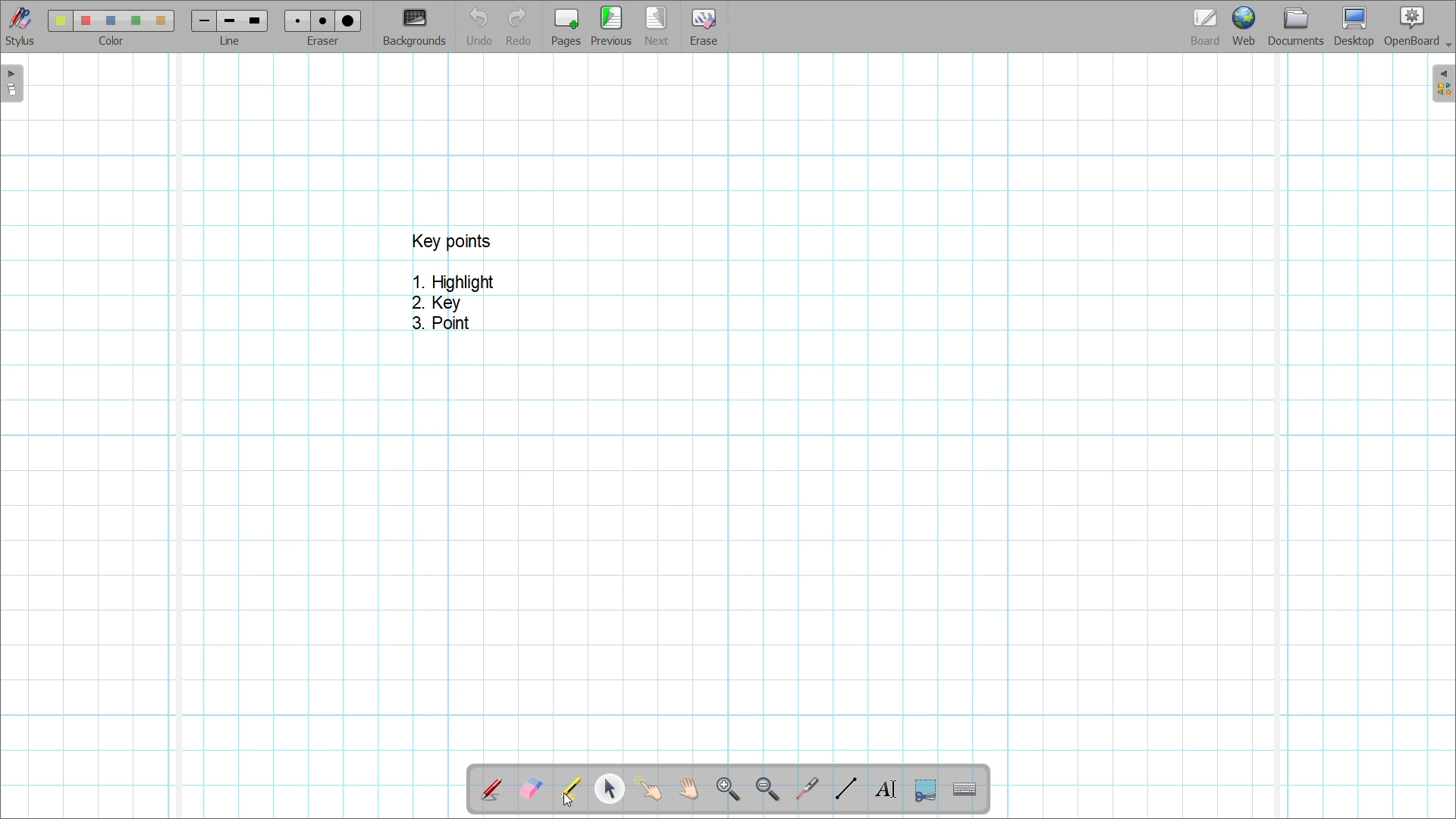  Describe the element at coordinates (227, 21) in the screenshot. I see `line 2` at that location.